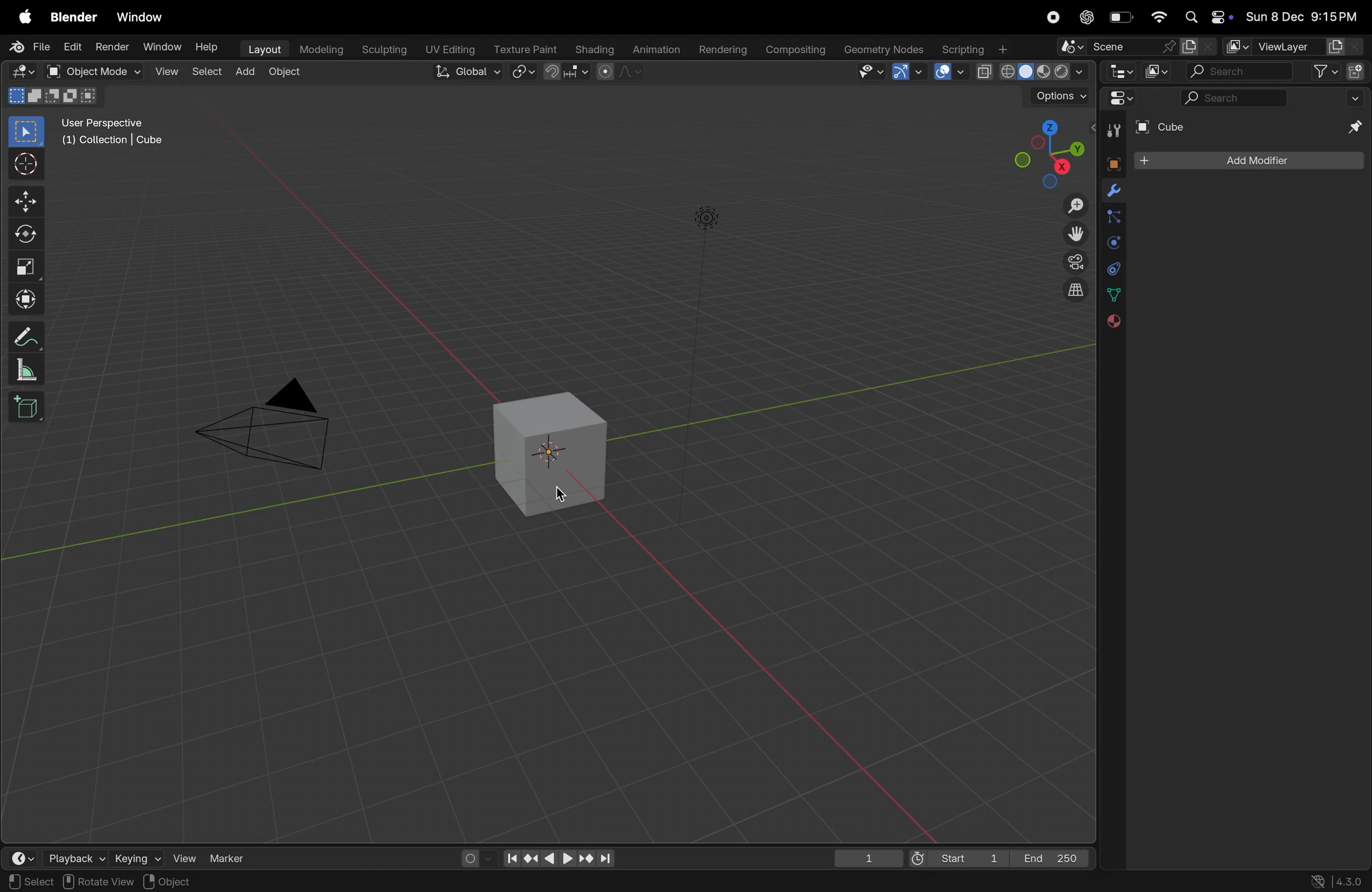 The image size is (1372, 892). I want to click on move, so click(25, 201).